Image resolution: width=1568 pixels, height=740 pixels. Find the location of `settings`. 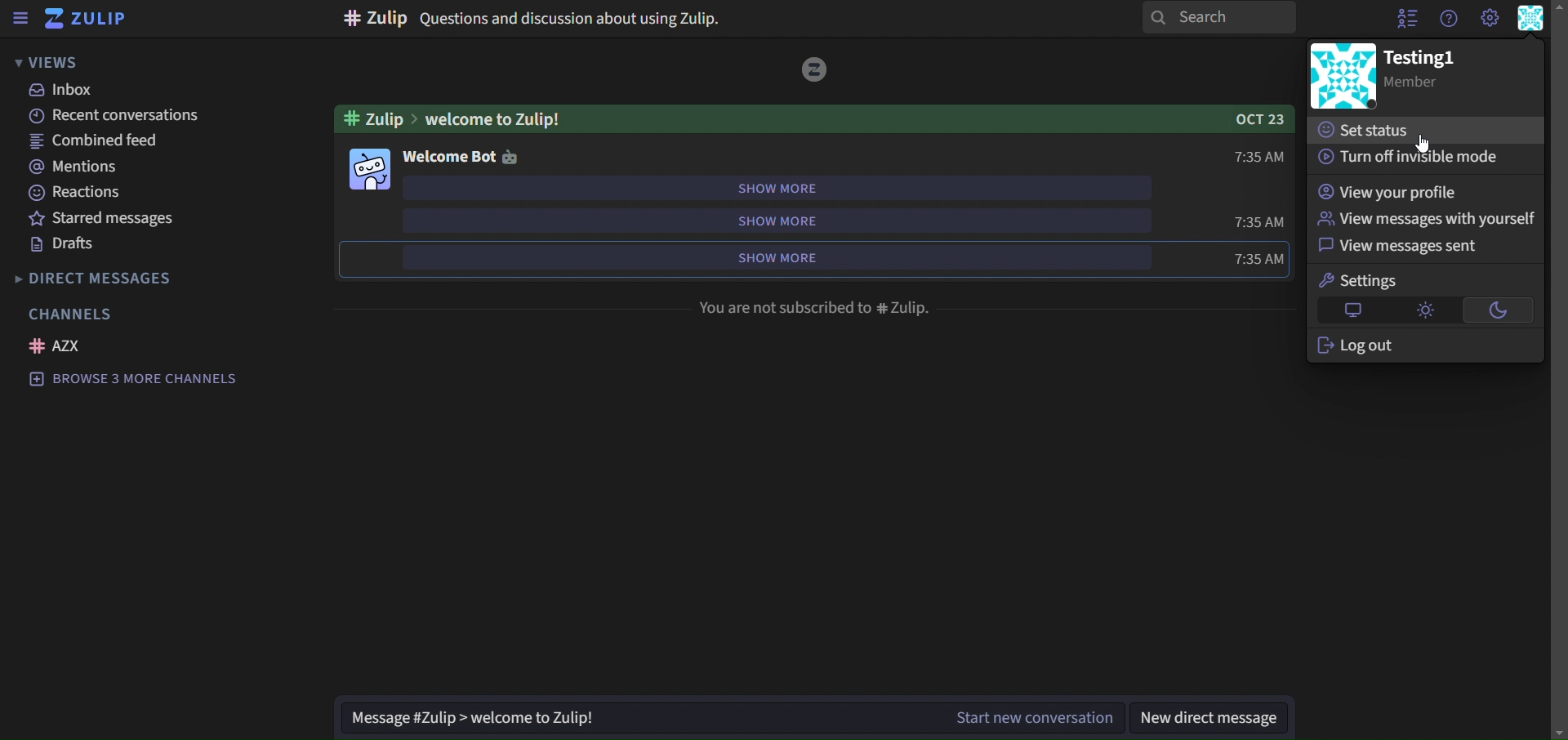

settings is located at coordinates (1362, 280).